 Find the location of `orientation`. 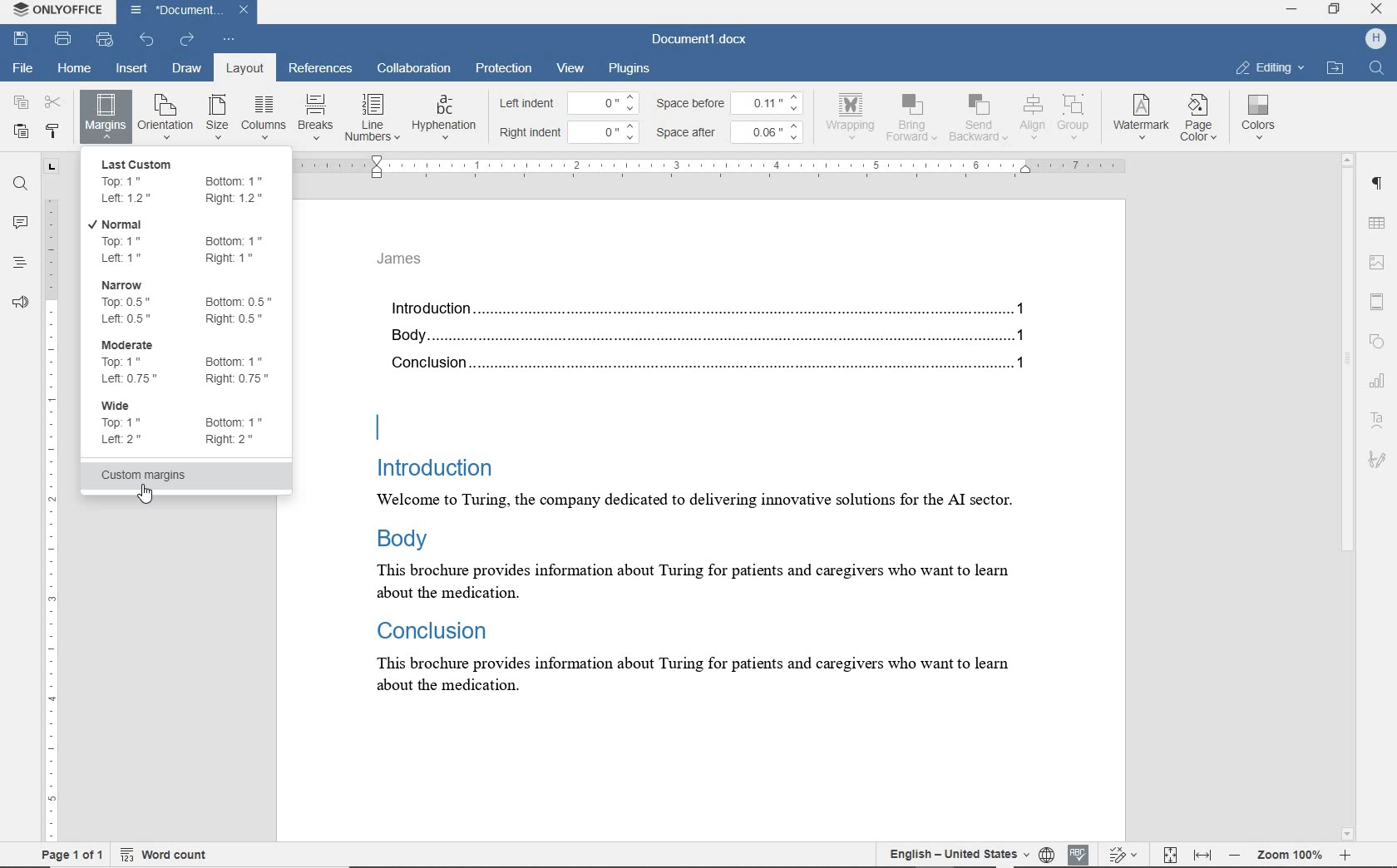

orientation is located at coordinates (165, 116).